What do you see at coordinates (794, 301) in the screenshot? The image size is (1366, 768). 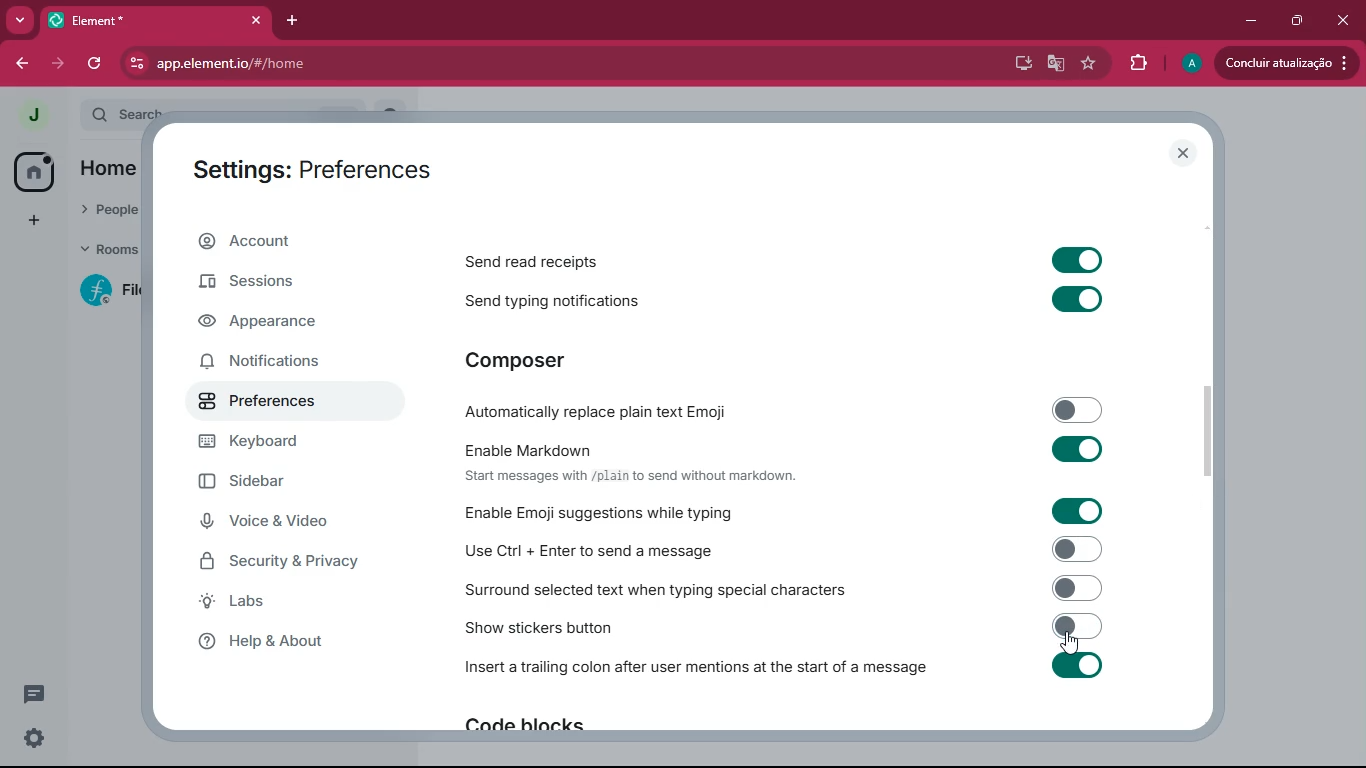 I see `Send typing notifications` at bounding box center [794, 301].